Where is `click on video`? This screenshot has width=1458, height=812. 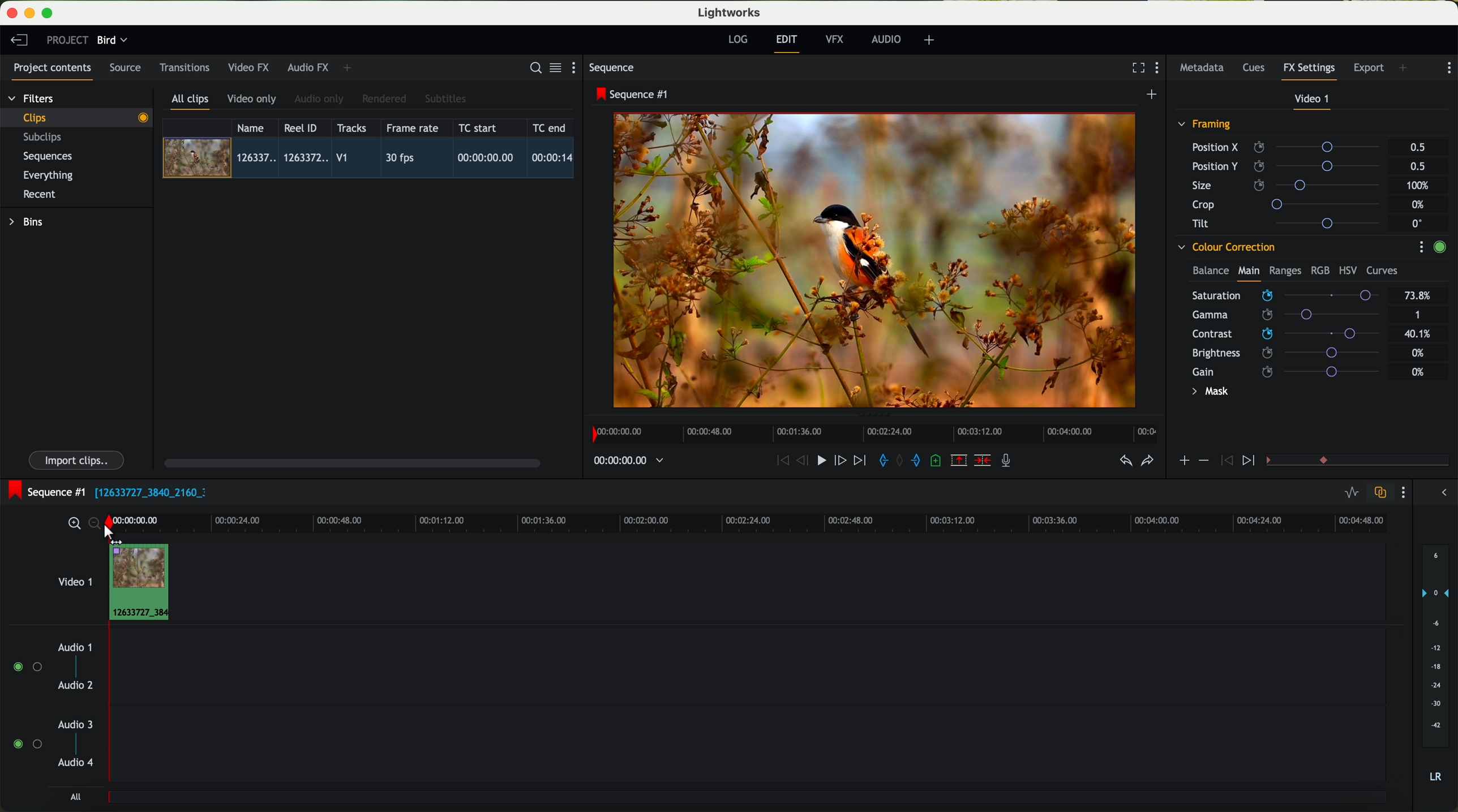 click on video is located at coordinates (372, 160).